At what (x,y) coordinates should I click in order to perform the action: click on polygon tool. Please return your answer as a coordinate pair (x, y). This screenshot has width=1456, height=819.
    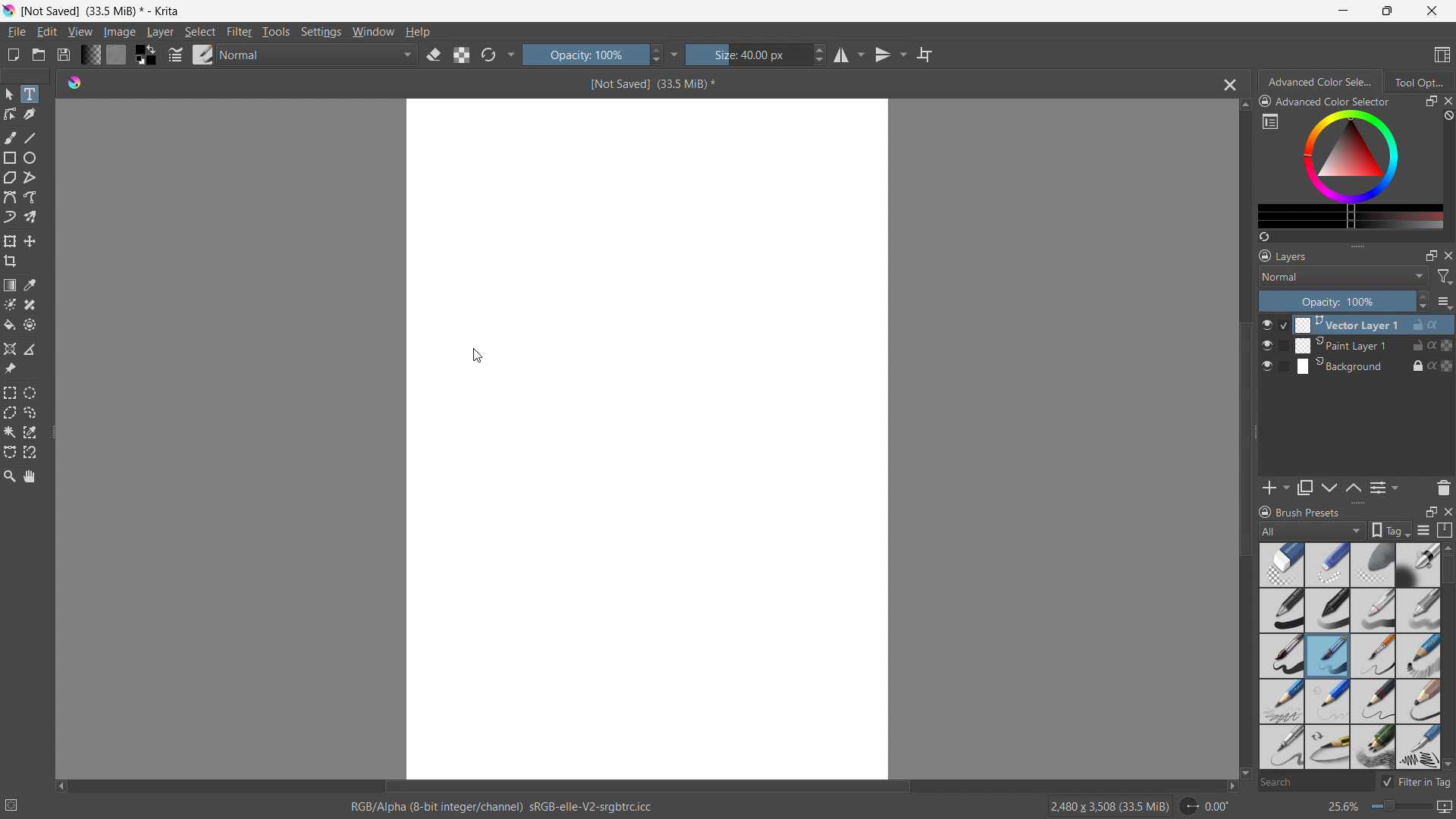
    Looking at the image, I should click on (10, 178).